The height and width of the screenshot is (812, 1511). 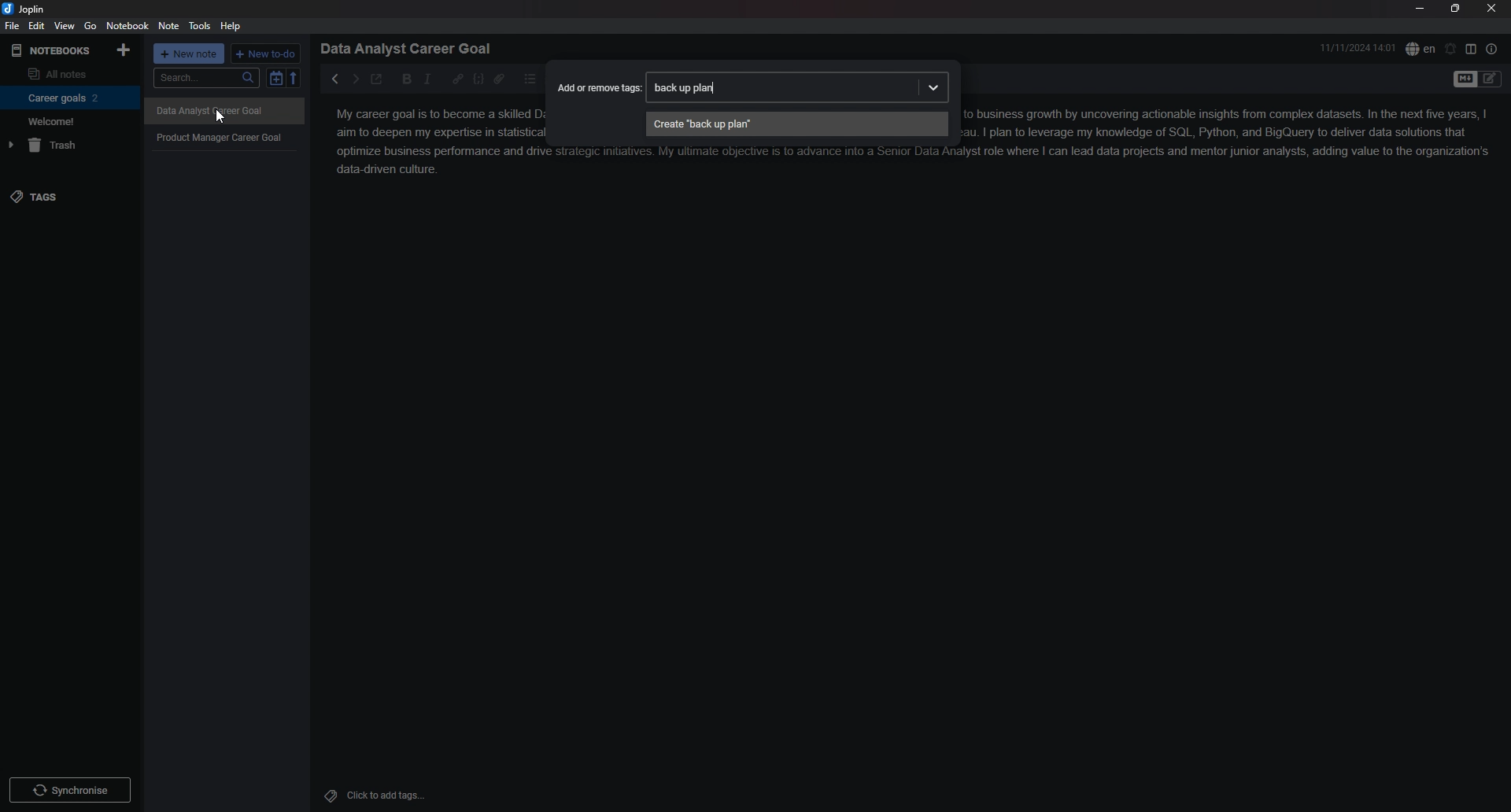 What do you see at coordinates (327, 794) in the screenshot?
I see `Tags` at bounding box center [327, 794].